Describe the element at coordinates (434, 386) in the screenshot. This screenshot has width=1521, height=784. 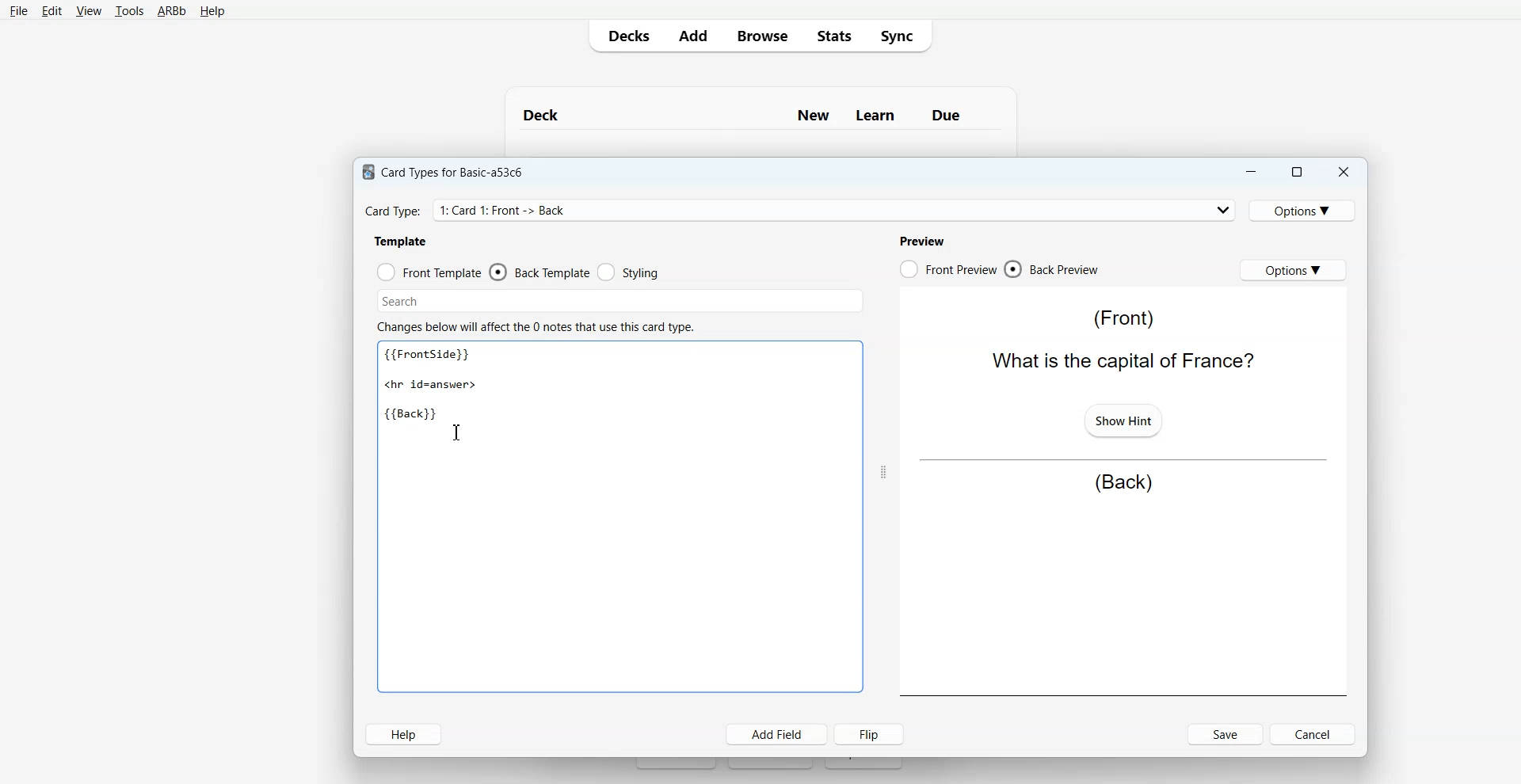
I see `{{Frontside}}
<hr id=answer>
(Back)` at that location.